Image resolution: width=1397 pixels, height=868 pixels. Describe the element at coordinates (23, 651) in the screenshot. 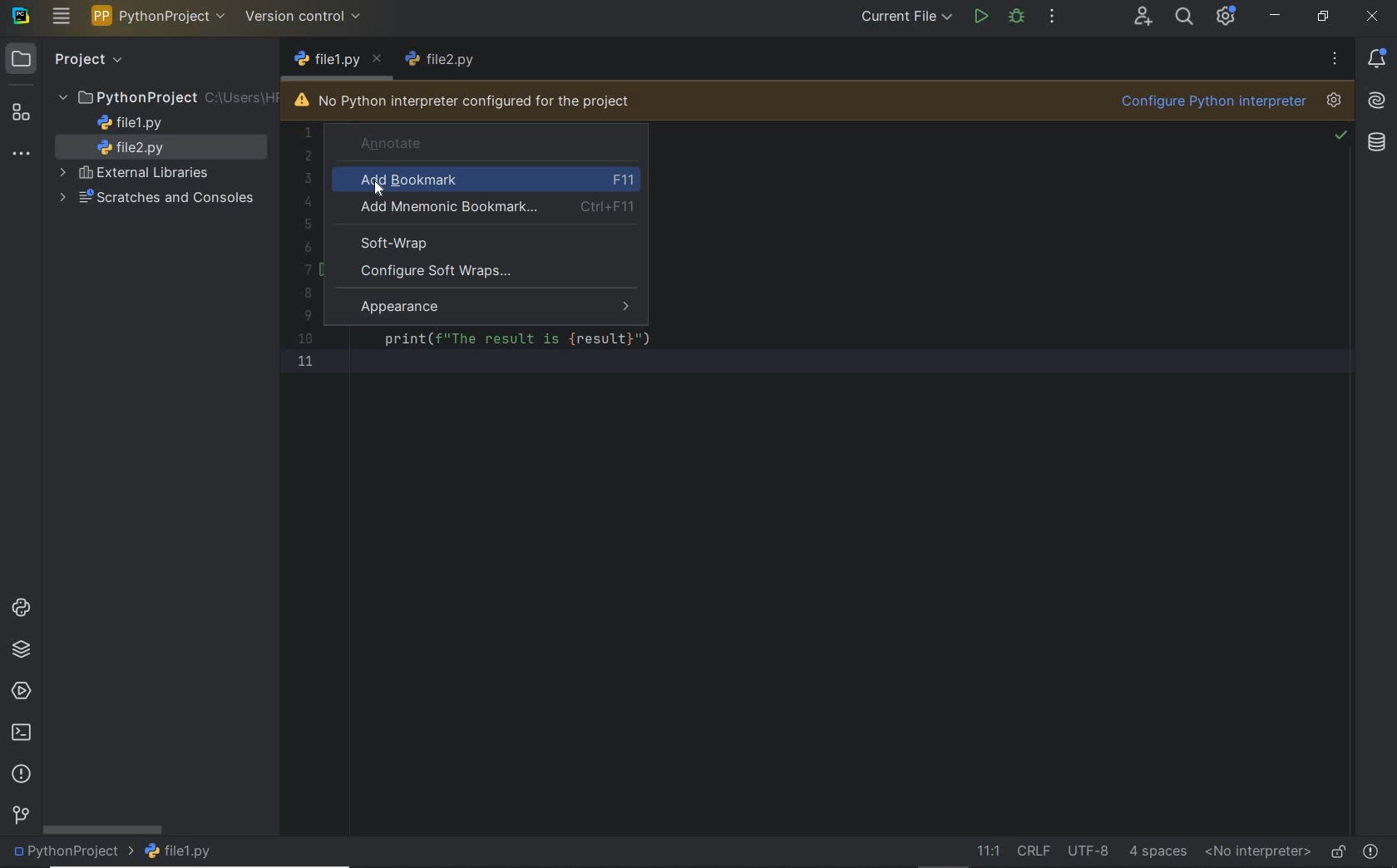

I see `python packages` at that location.